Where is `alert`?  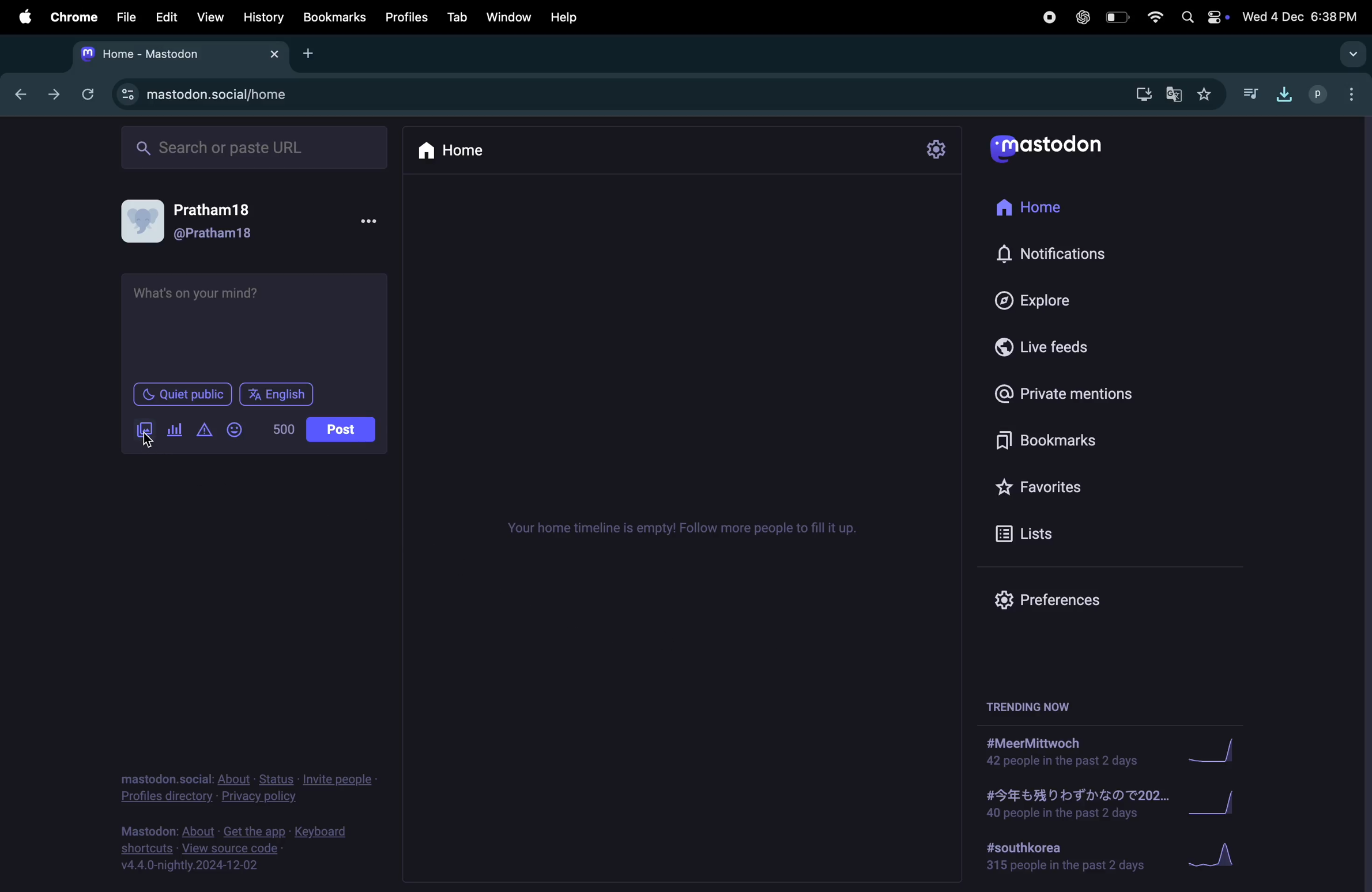 alert is located at coordinates (203, 429).